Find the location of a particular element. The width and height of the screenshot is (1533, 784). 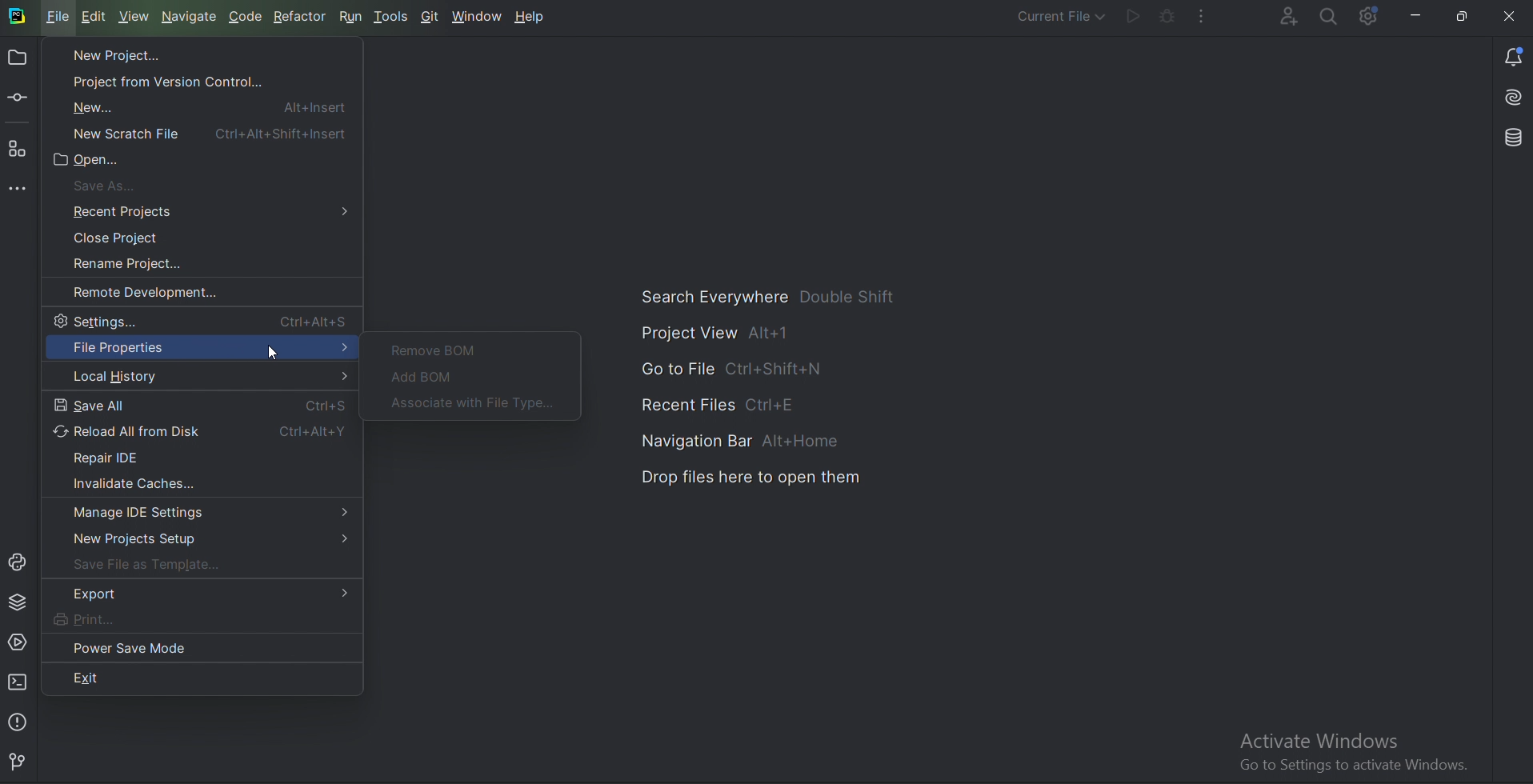

Help is located at coordinates (533, 18).